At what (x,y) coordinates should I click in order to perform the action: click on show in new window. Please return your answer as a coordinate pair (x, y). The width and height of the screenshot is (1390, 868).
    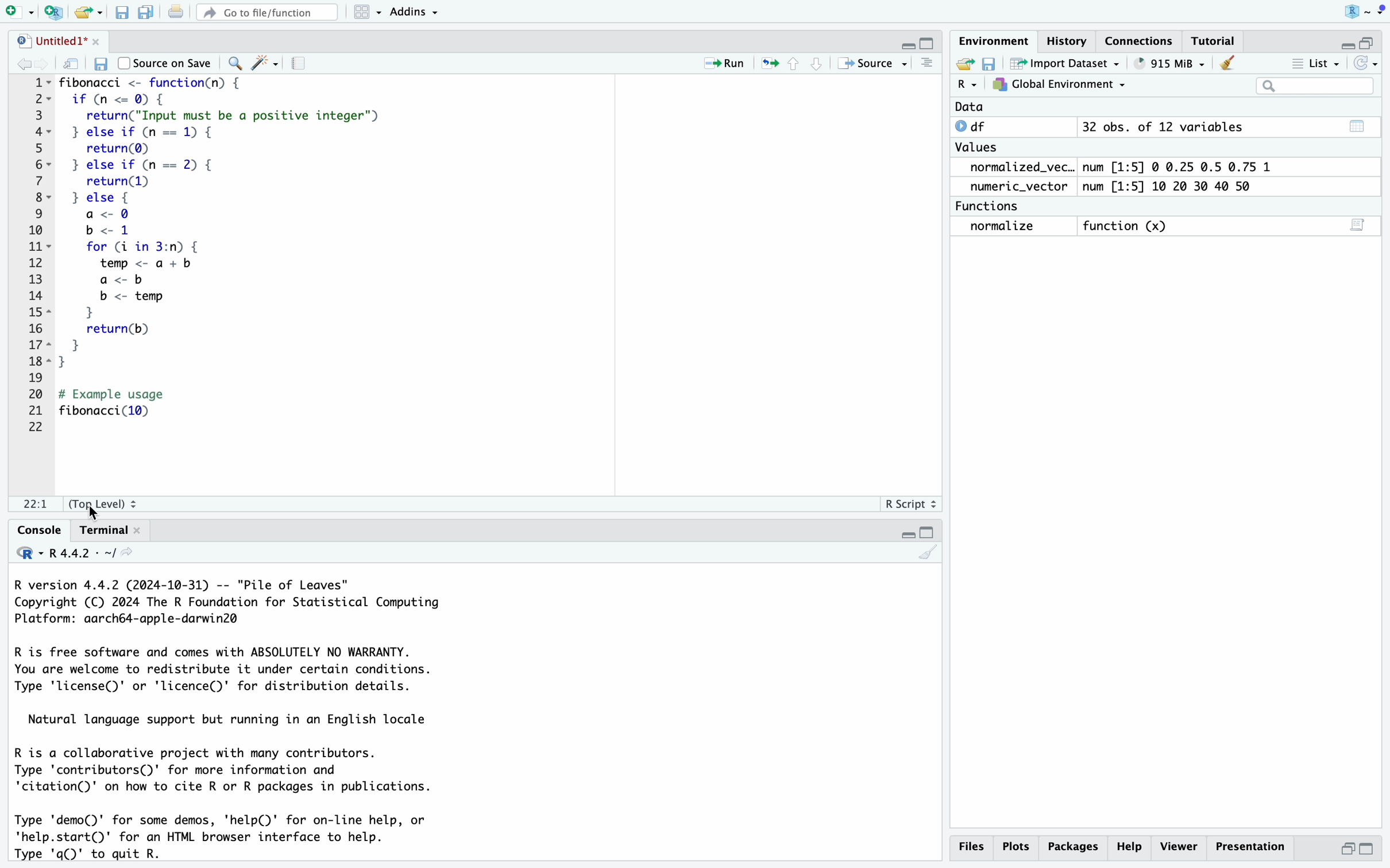
    Looking at the image, I should click on (73, 66).